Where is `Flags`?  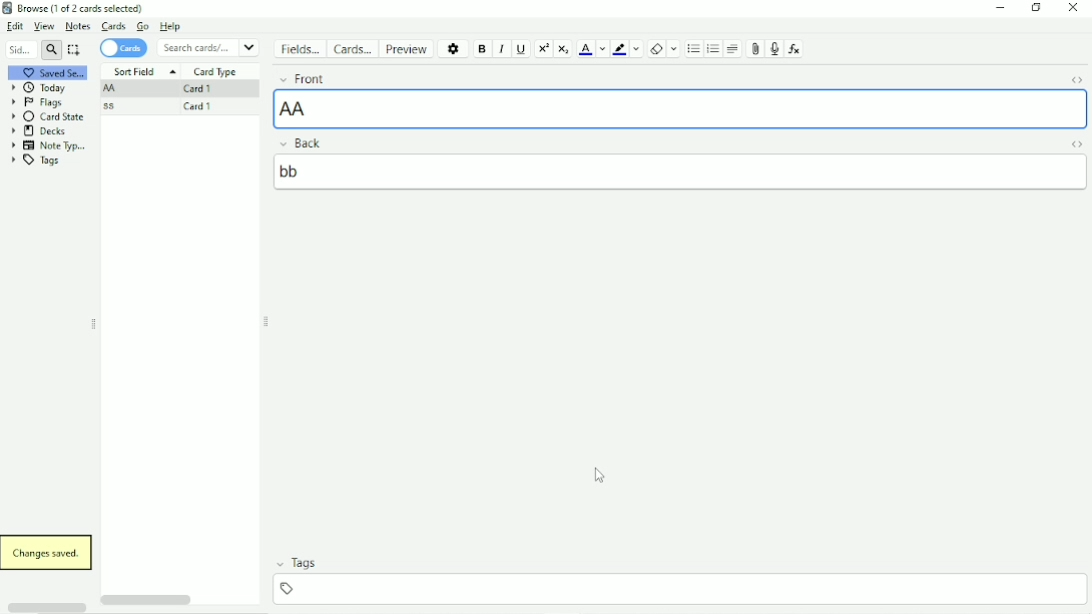 Flags is located at coordinates (39, 102).